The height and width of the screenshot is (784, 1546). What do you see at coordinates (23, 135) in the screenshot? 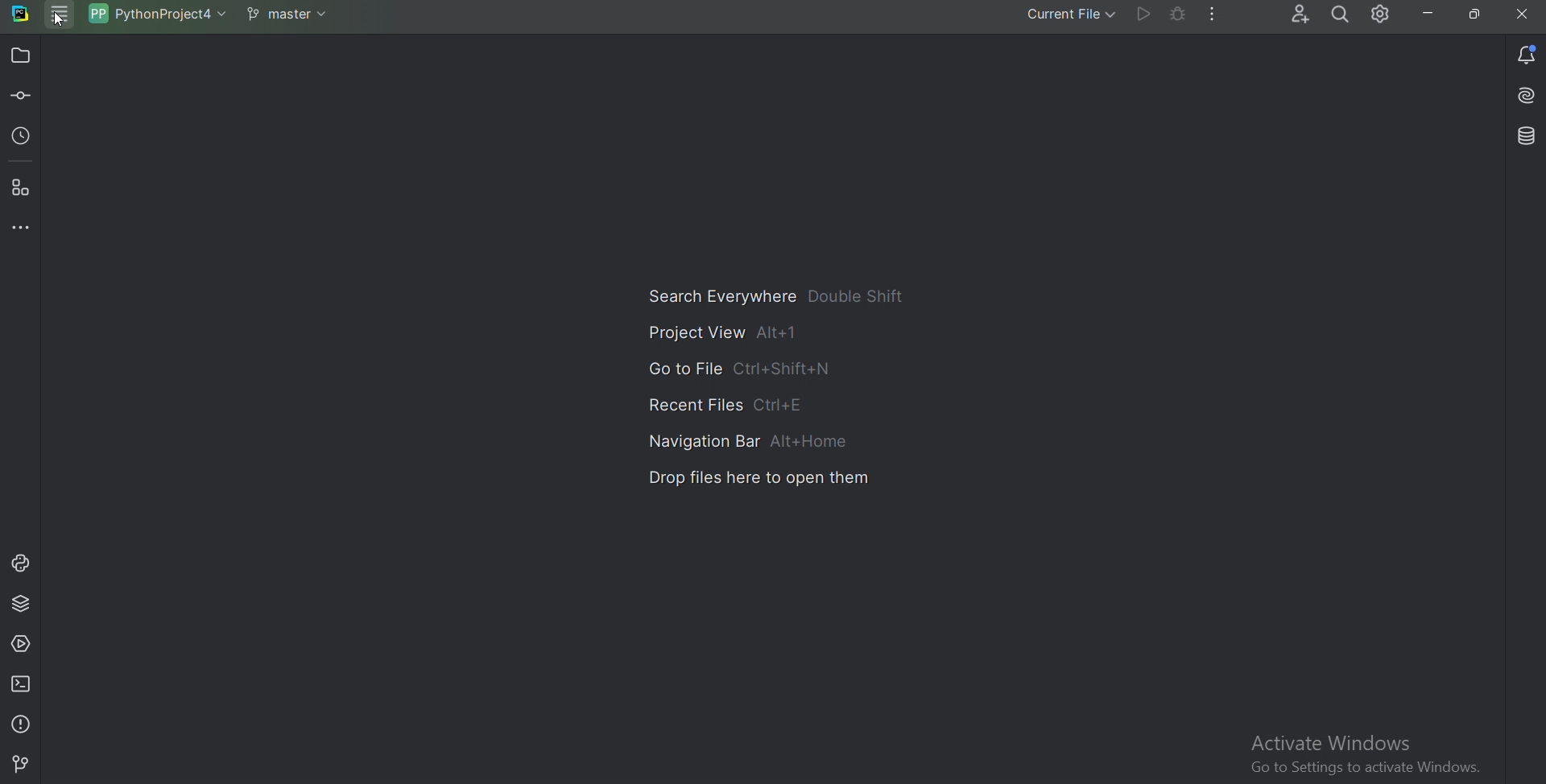
I see `Local history` at bounding box center [23, 135].